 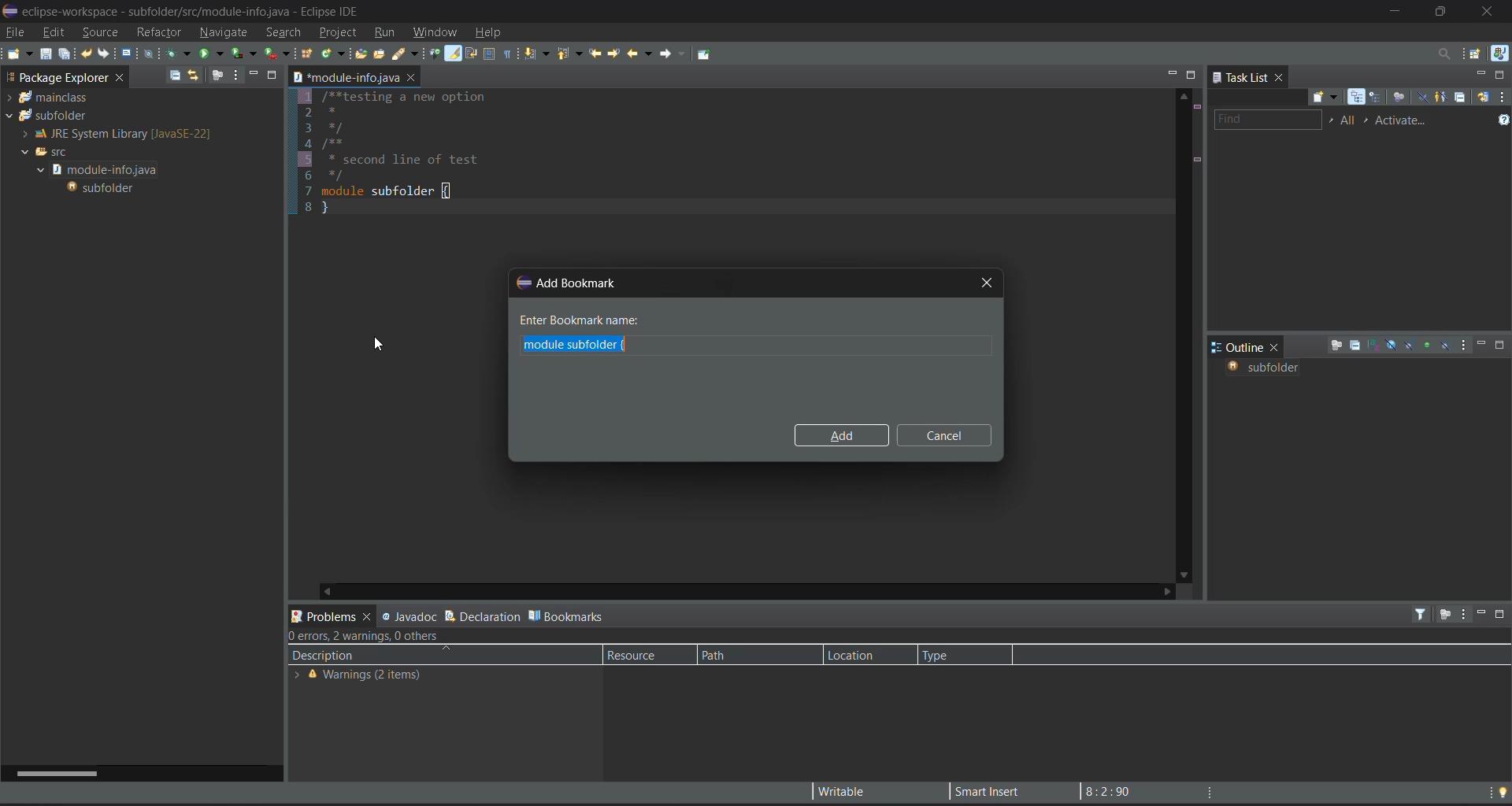 What do you see at coordinates (754, 345) in the screenshot?
I see `bookmark input box` at bounding box center [754, 345].